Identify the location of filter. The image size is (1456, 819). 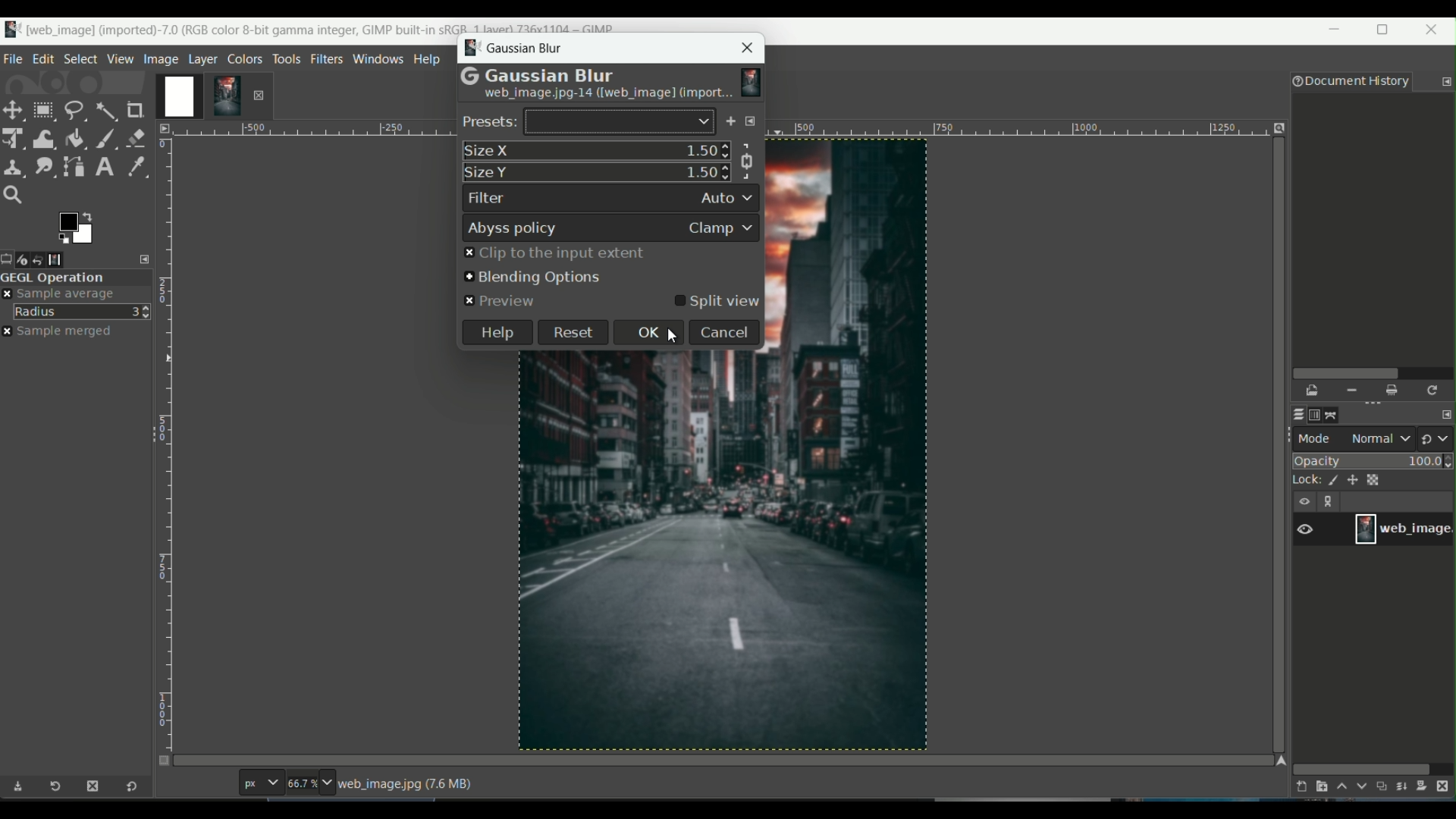
(488, 199).